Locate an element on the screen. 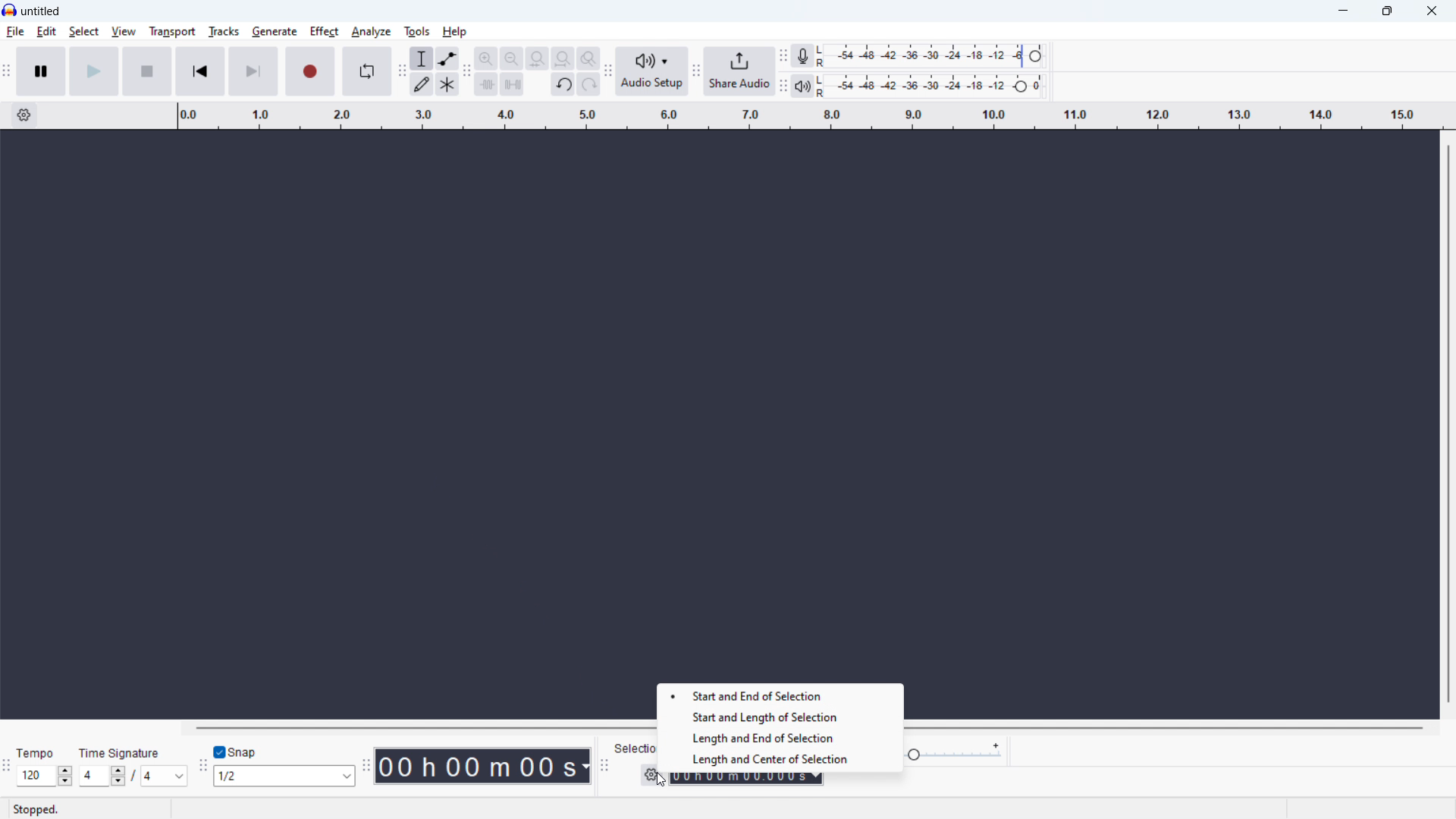  share audio toolbar is located at coordinates (696, 73).